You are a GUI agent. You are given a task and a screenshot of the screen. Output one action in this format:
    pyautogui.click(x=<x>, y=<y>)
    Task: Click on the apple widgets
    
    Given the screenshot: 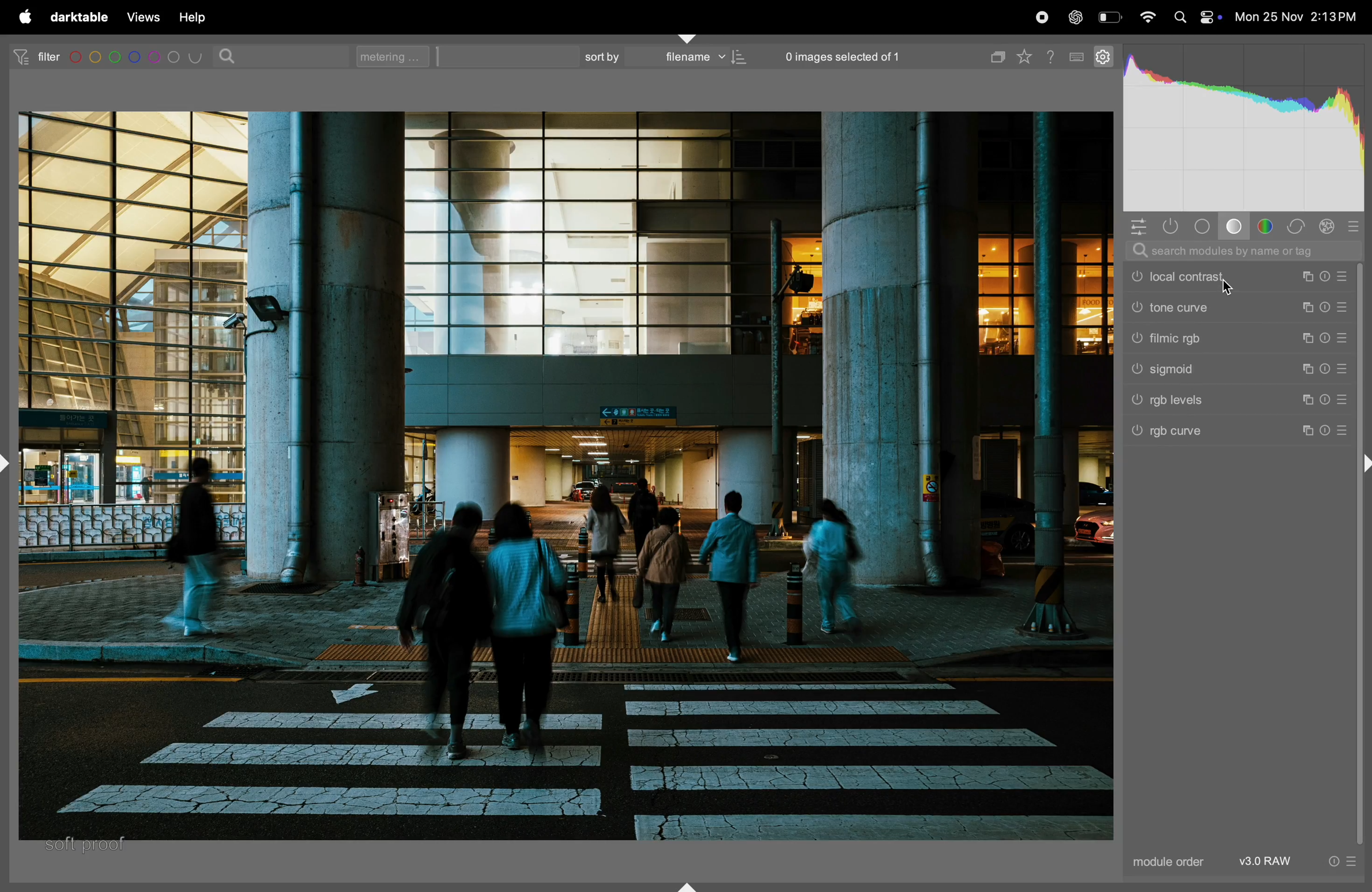 What is the action you would take?
    pyautogui.click(x=1211, y=17)
    